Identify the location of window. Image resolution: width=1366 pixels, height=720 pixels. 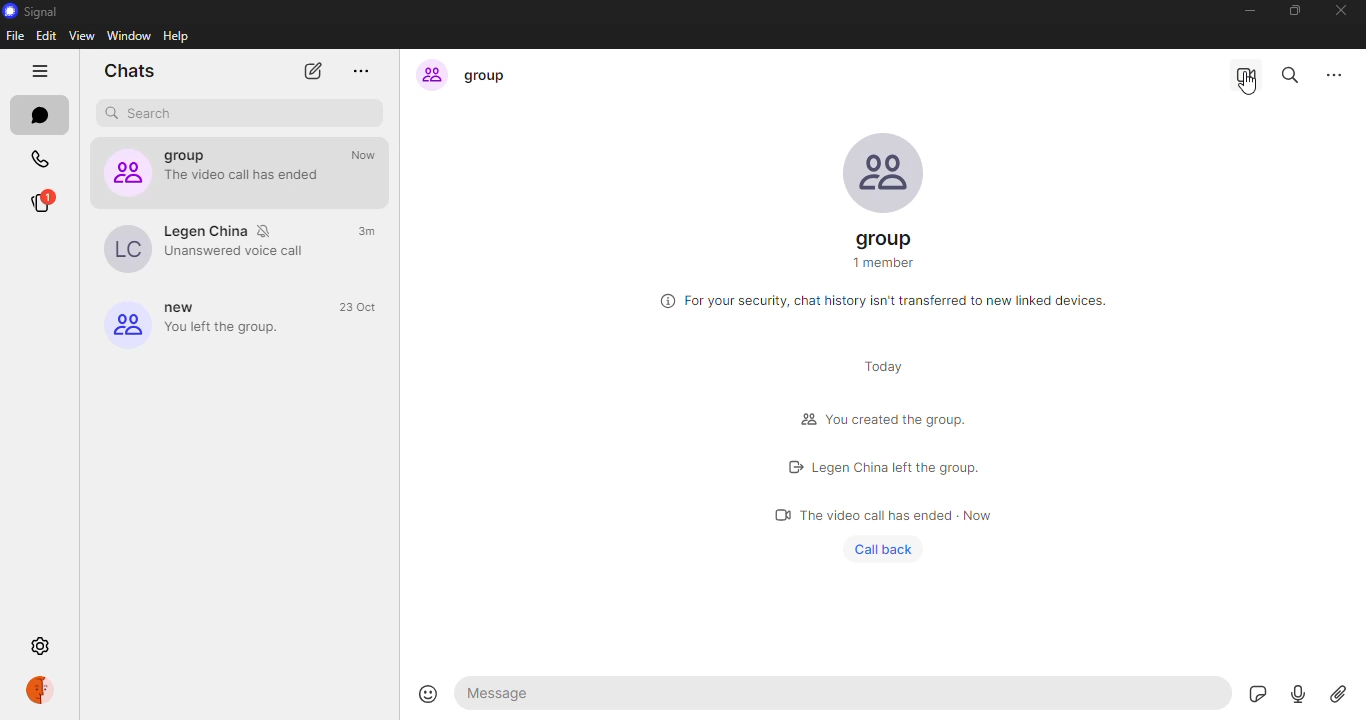
(130, 36).